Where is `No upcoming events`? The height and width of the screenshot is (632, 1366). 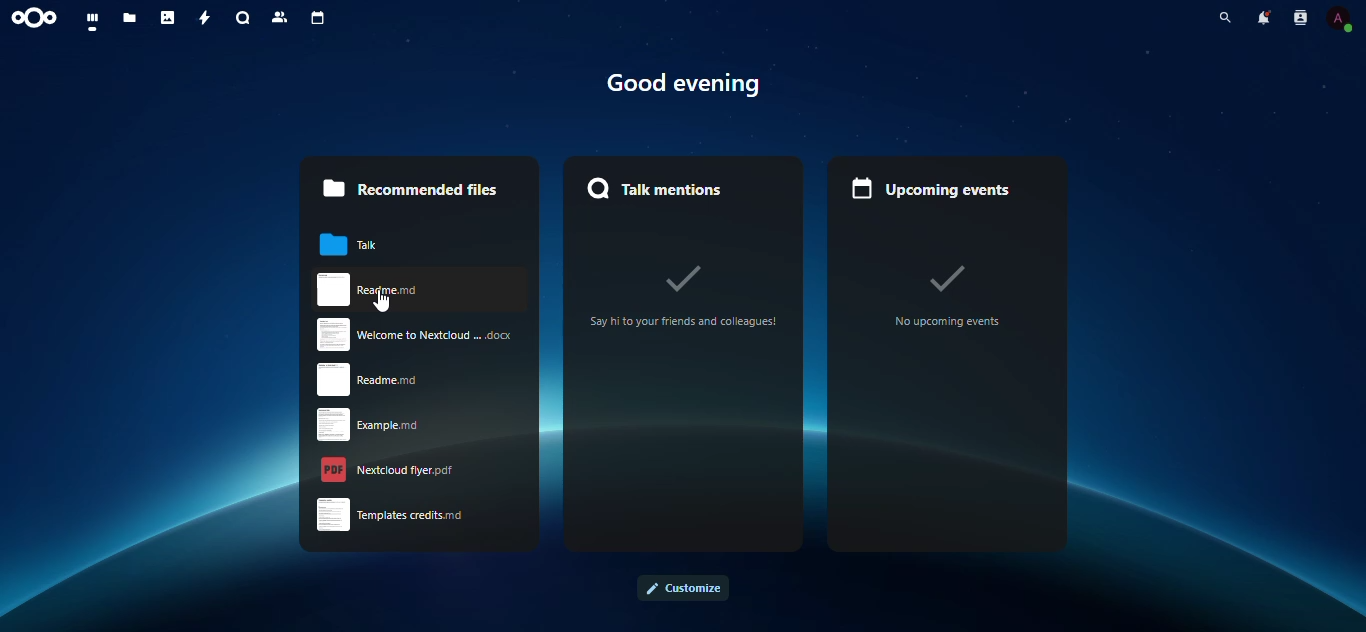 No upcoming events is located at coordinates (948, 322).